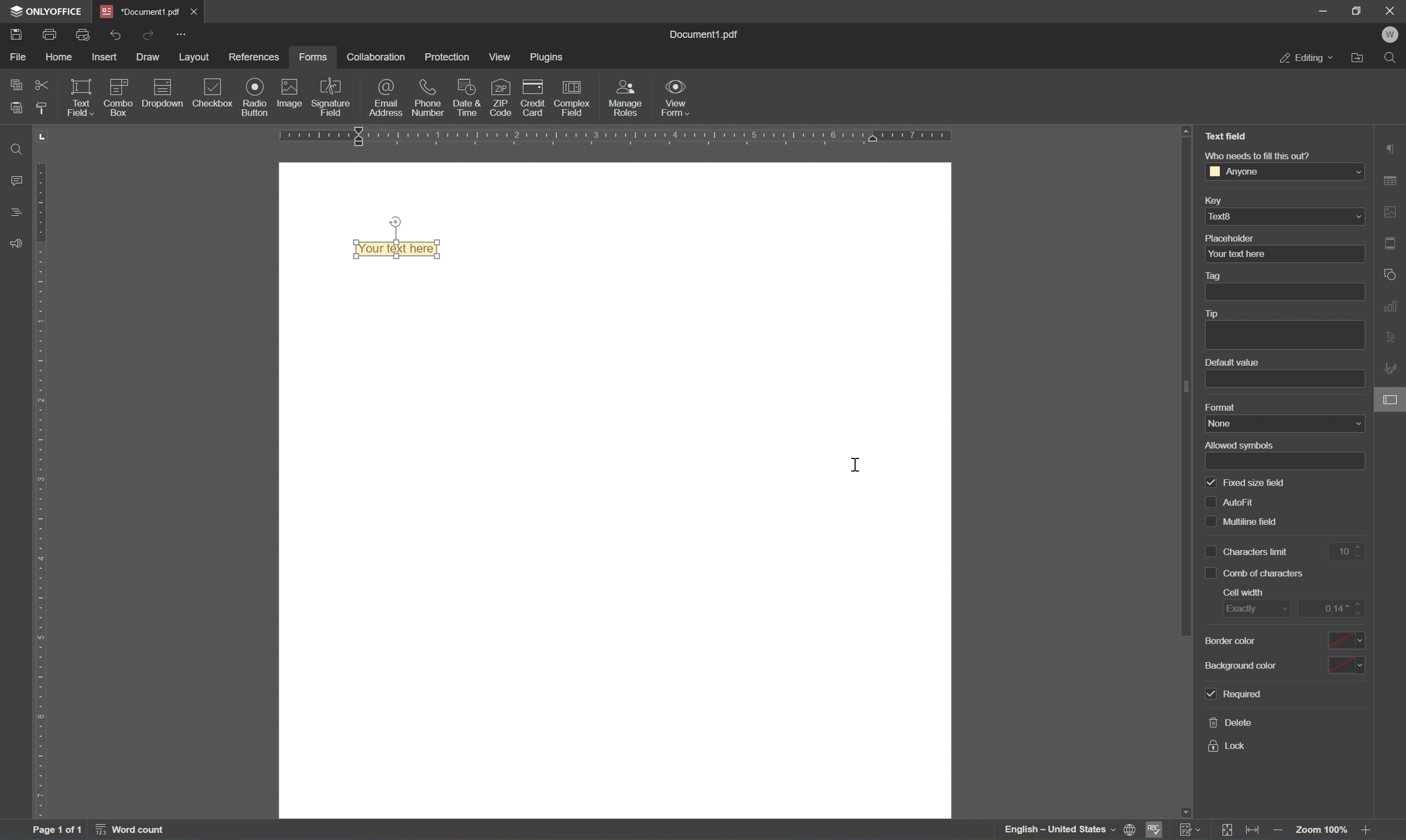 The height and width of the screenshot is (840, 1406). Describe the element at coordinates (465, 98) in the screenshot. I see `date and time` at that location.